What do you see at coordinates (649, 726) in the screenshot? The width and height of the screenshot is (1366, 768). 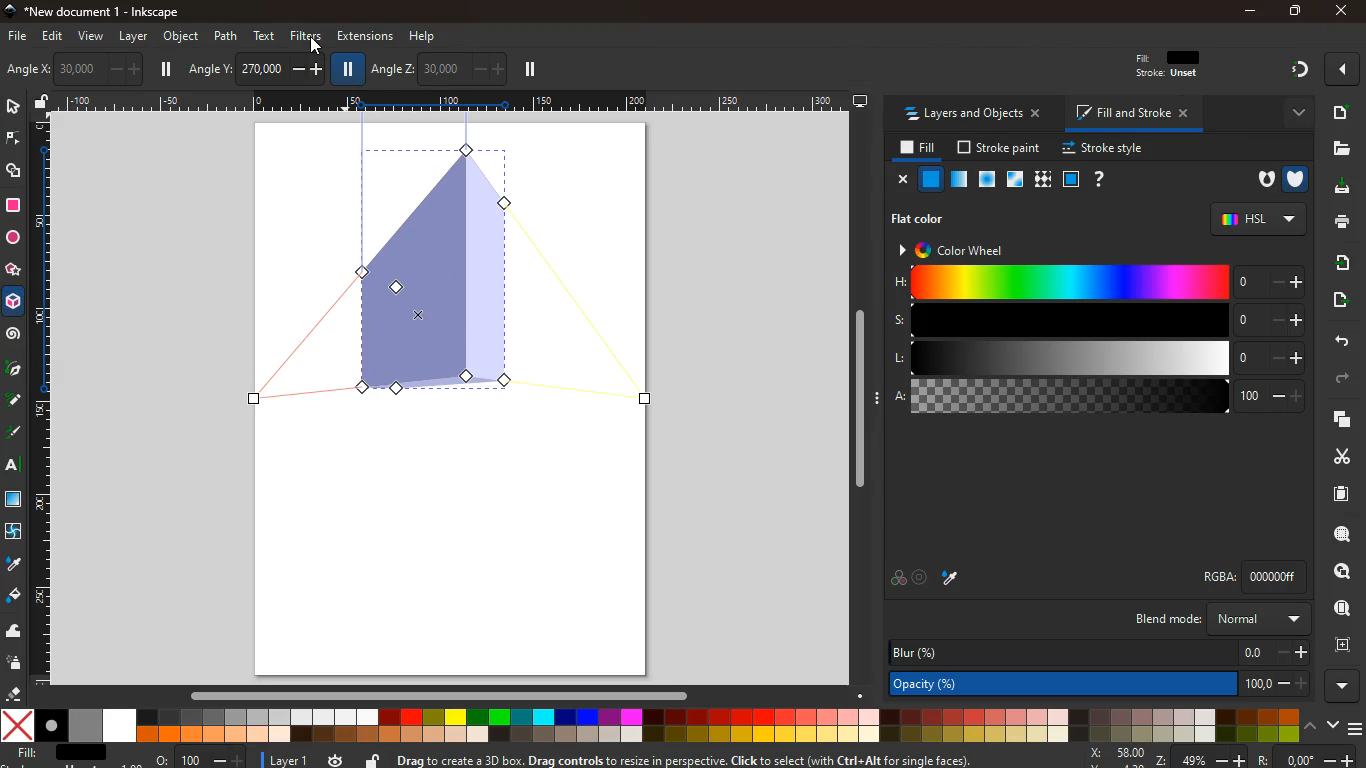 I see `color` at bounding box center [649, 726].